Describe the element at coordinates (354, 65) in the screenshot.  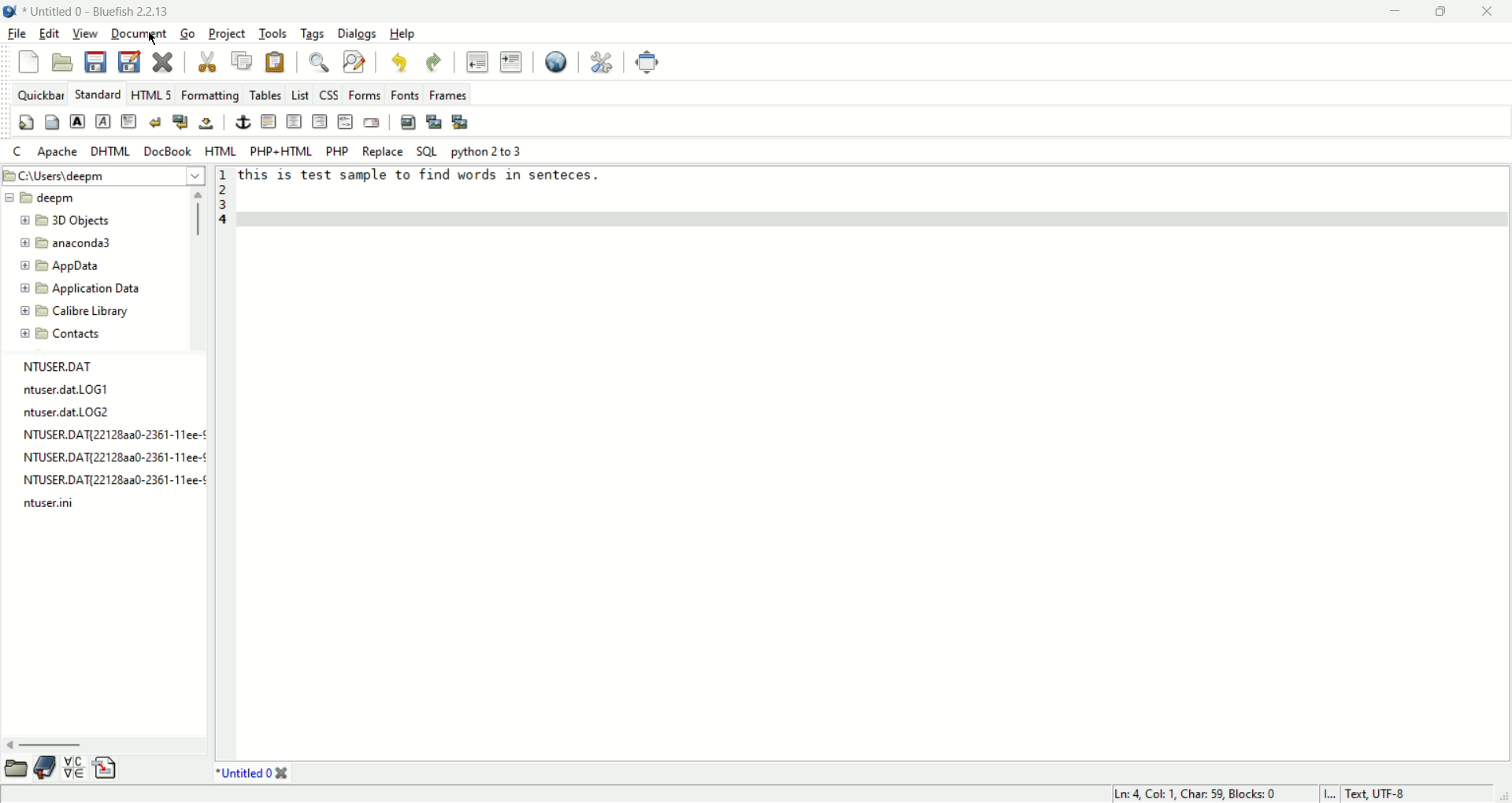
I see `find and replace` at that location.